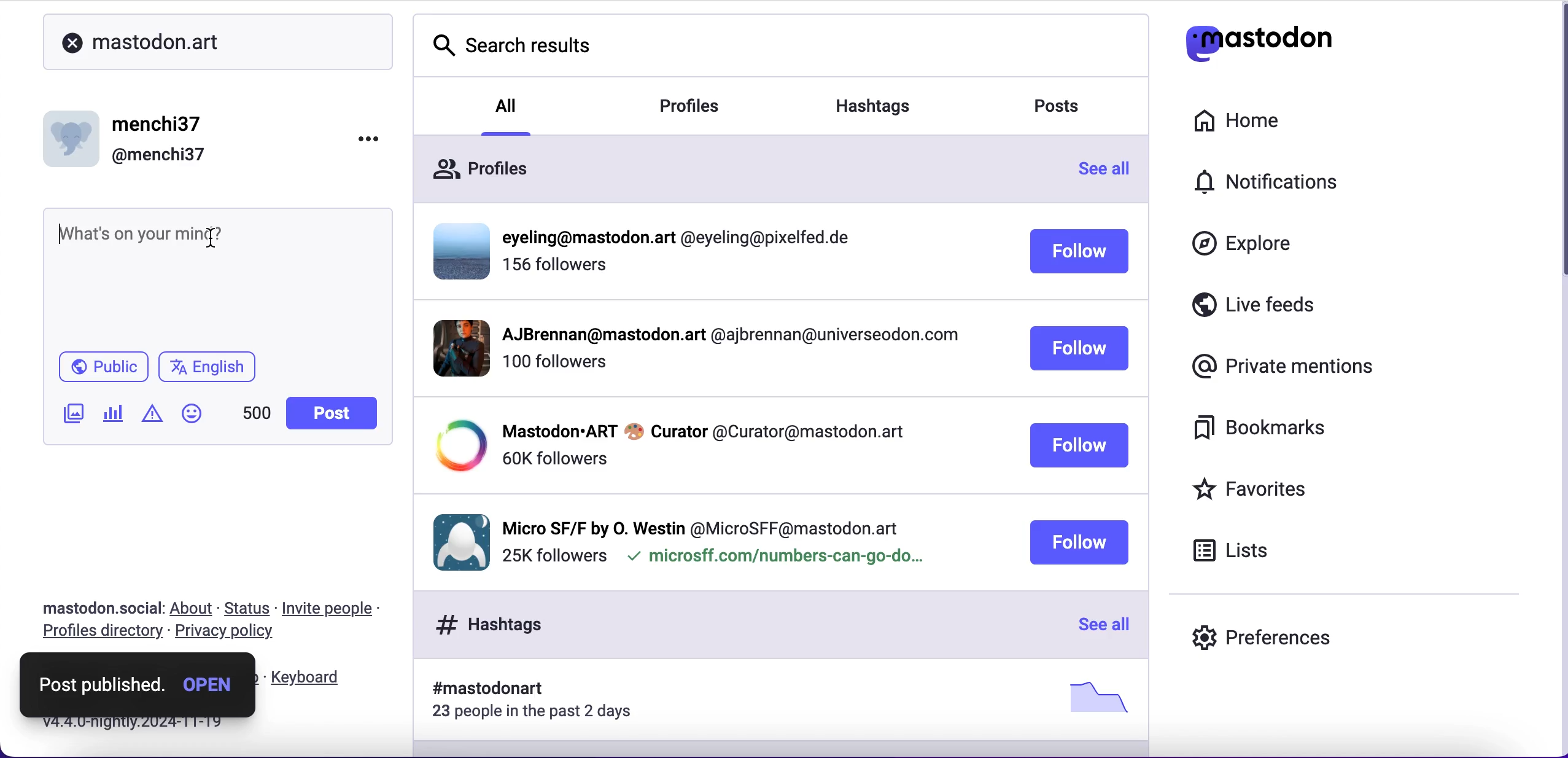 The image size is (1568, 758). Describe the element at coordinates (554, 459) in the screenshot. I see `followers` at that location.